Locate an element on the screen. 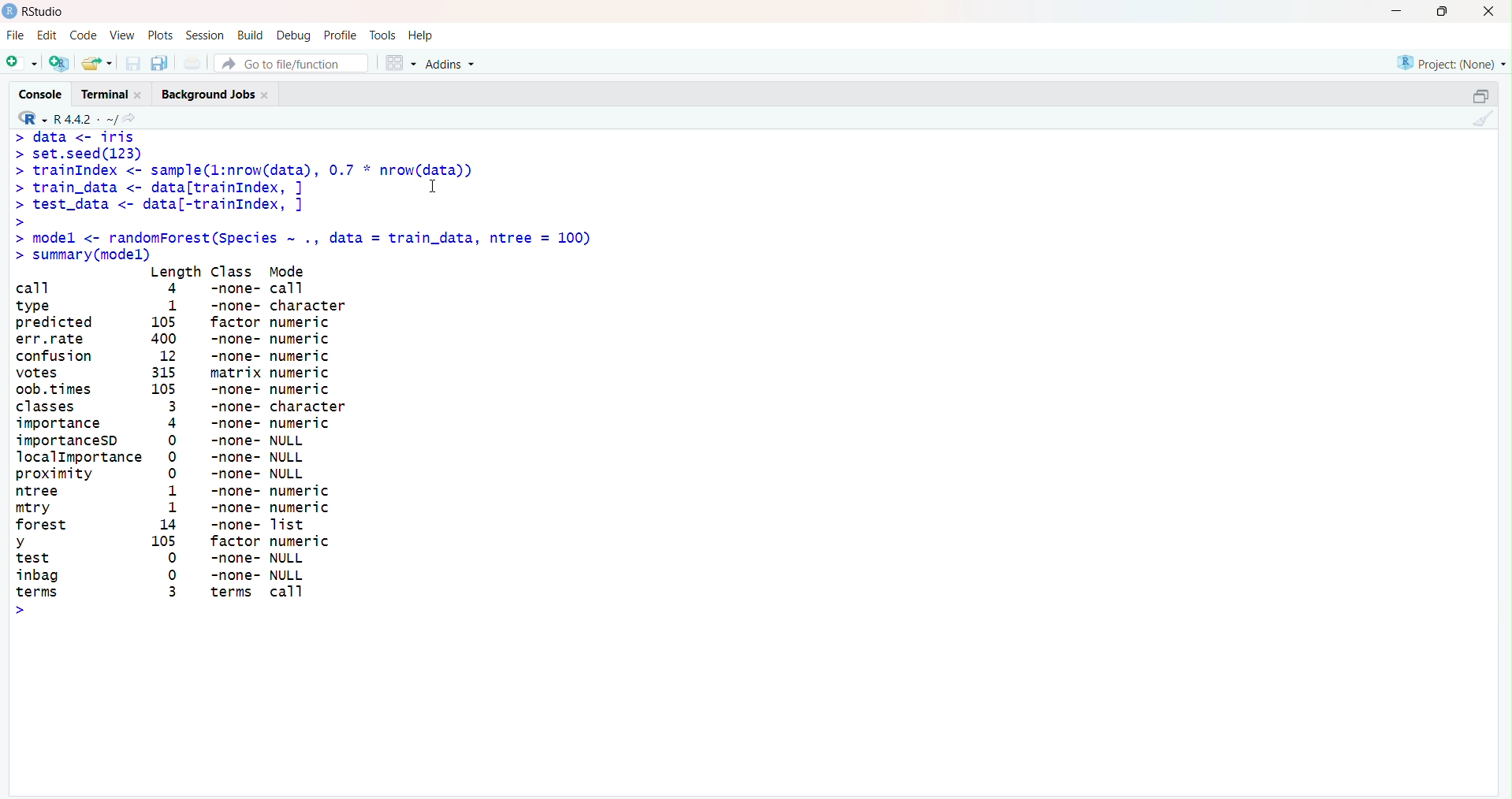  File is located at coordinates (15, 35).